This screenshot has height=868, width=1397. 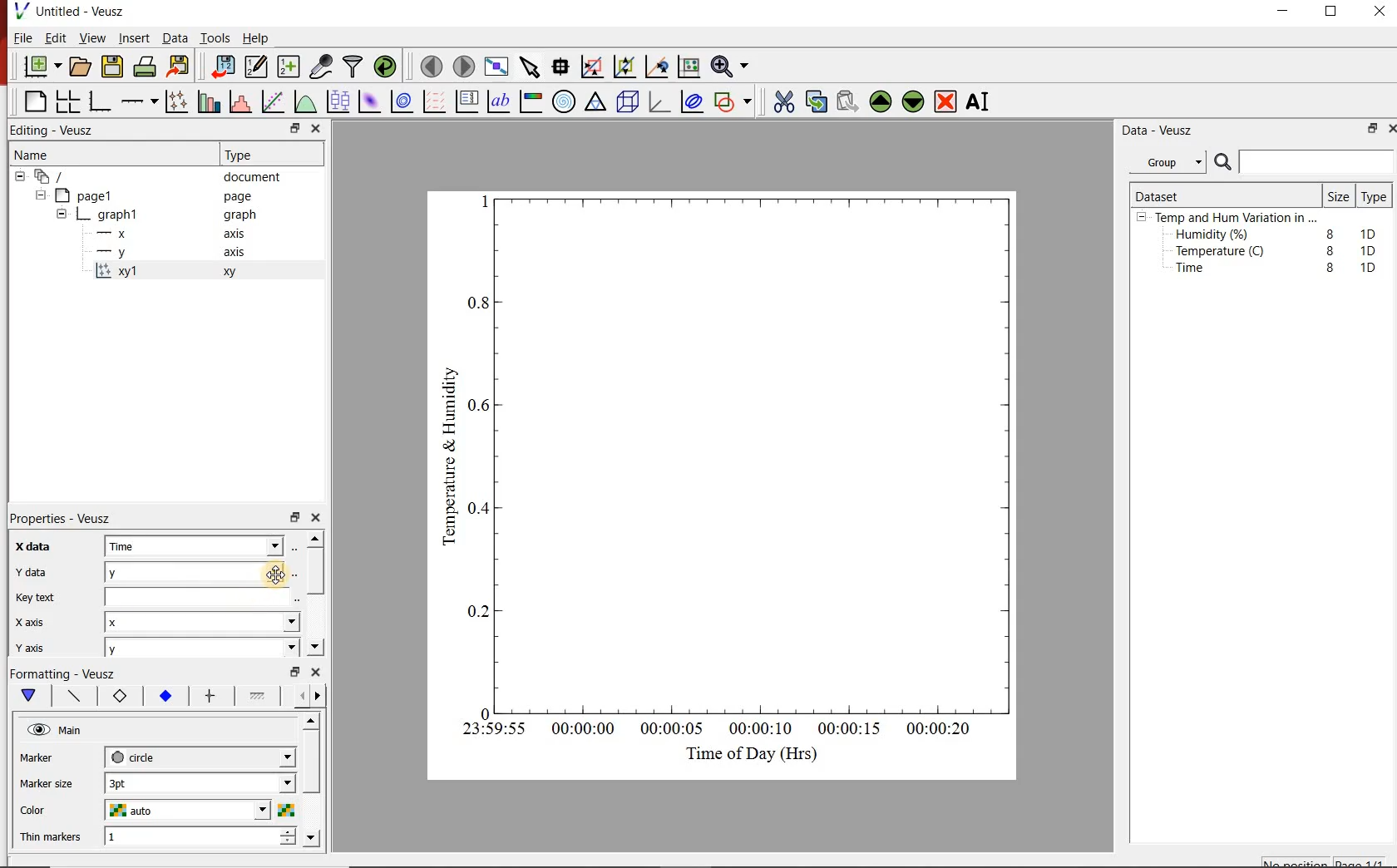 What do you see at coordinates (81, 67) in the screenshot?
I see `open a document` at bounding box center [81, 67].